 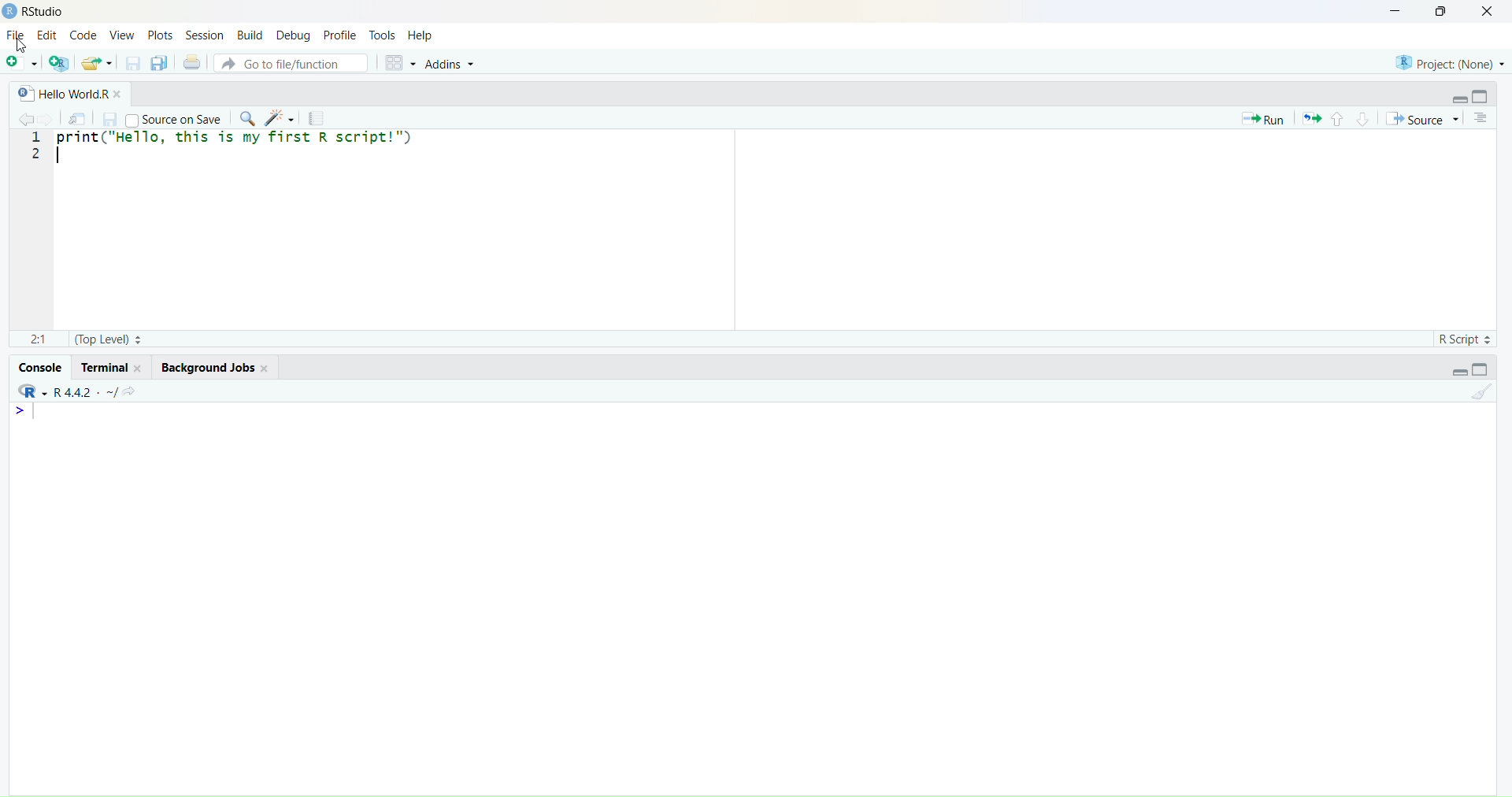 I want to click on Help, so click(x=420, y=36).